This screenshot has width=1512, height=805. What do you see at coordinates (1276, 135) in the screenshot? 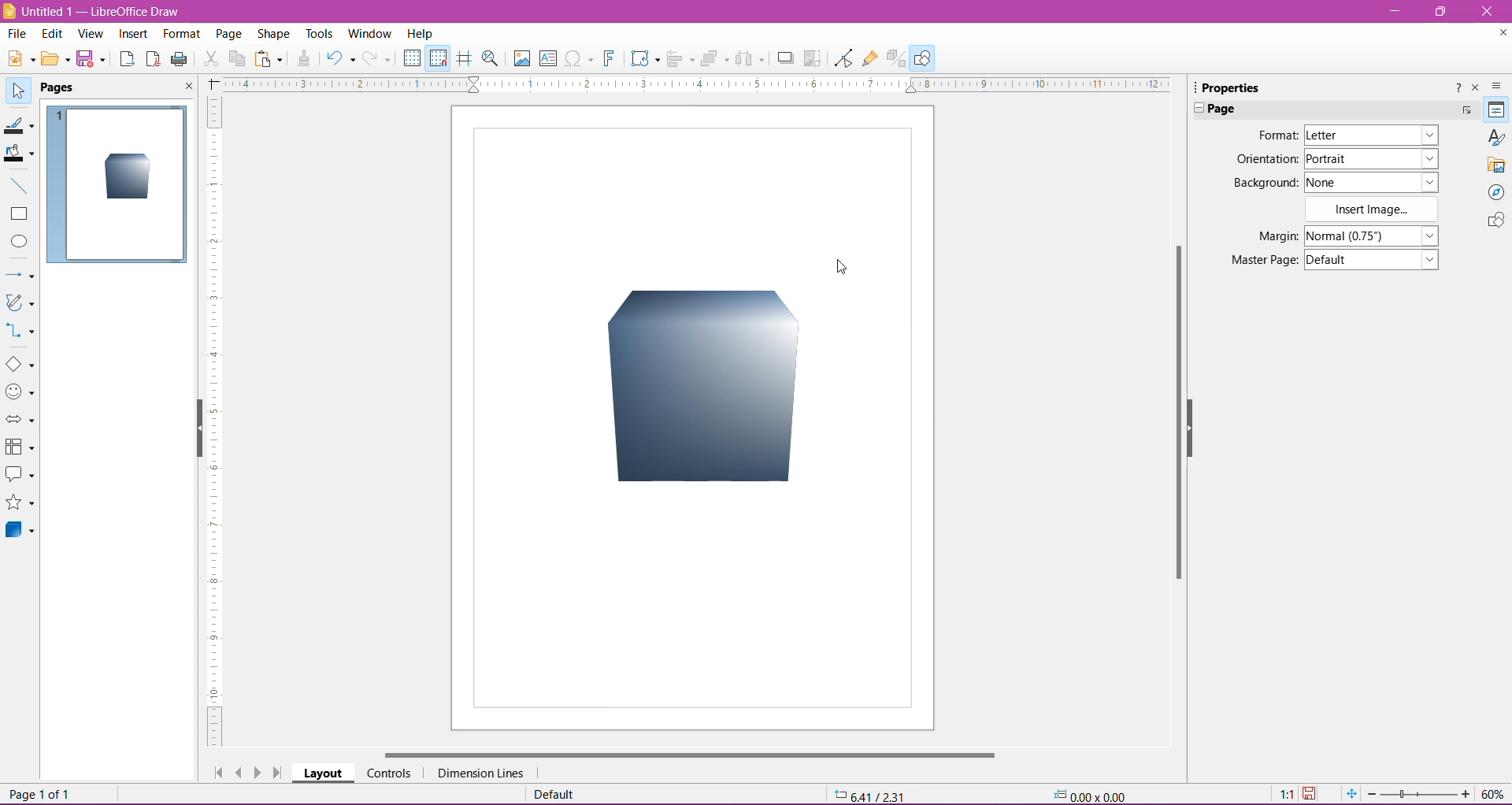
I see `Format` at bounding box center [1276, 135].